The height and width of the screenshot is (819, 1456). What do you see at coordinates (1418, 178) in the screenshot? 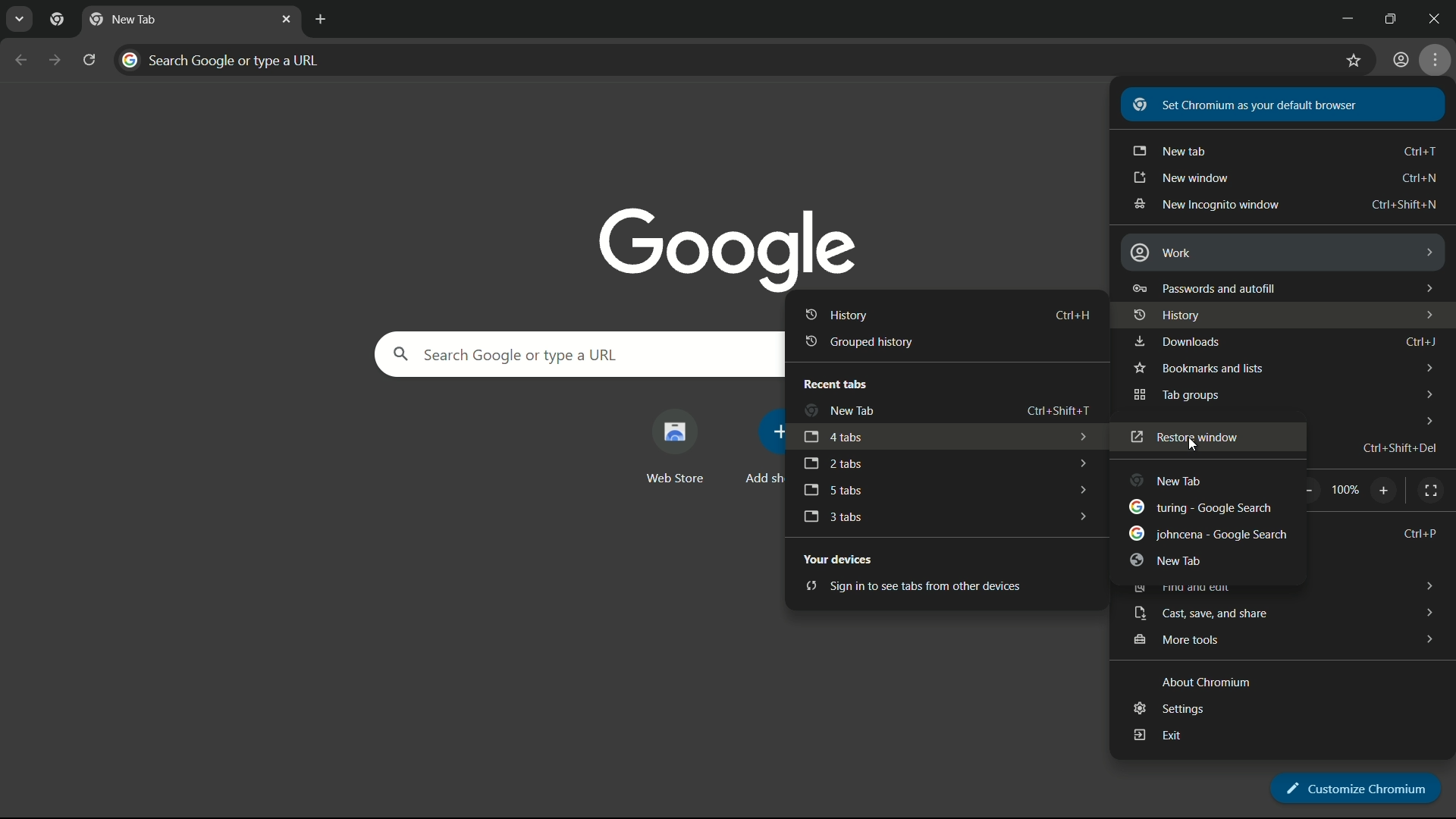
I see `shortcut key` at bounding box center [1418, 178].